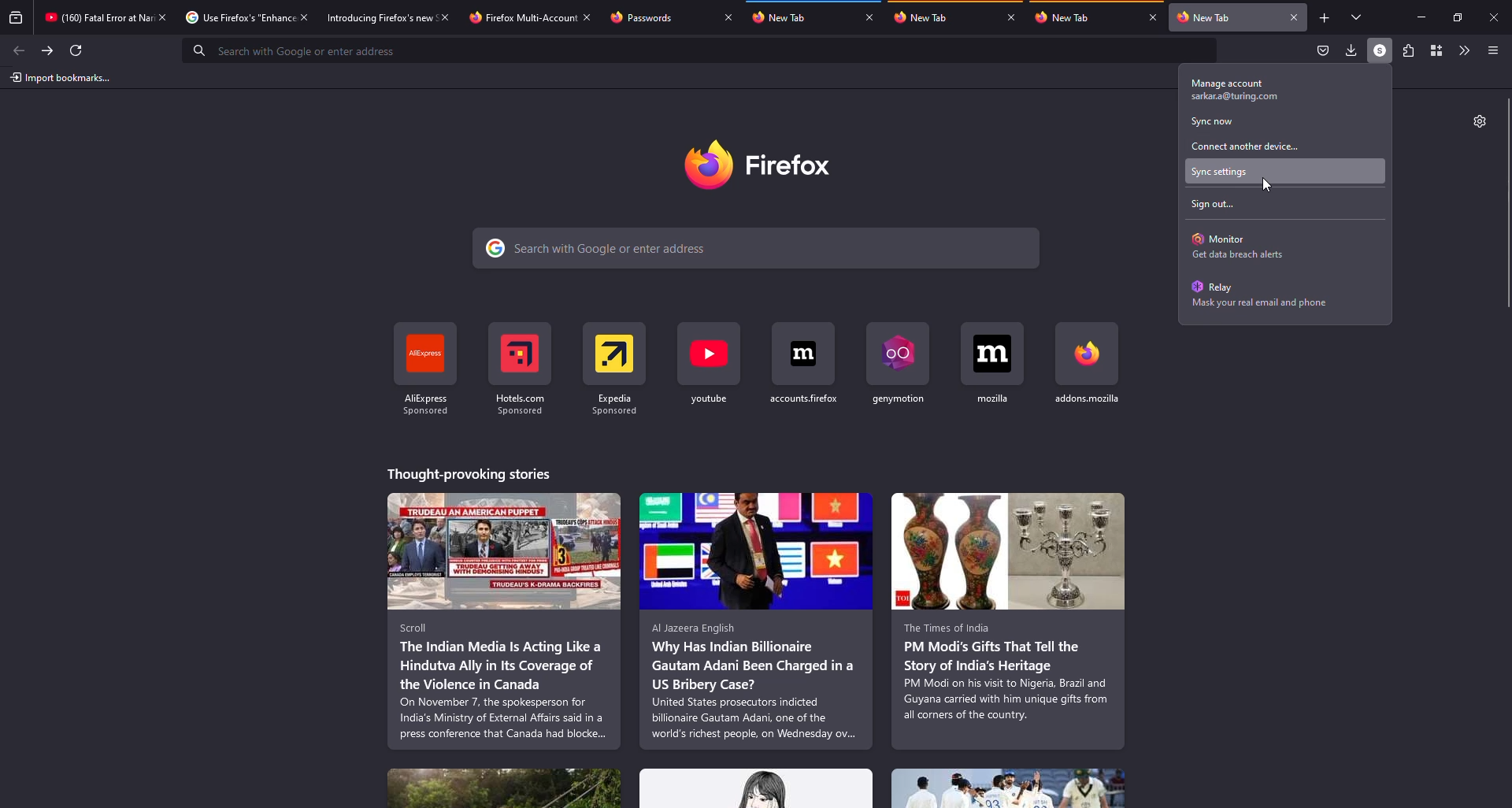 This screenshot has width=1512, height=808. Describe the element at coordinates (515, 18) in the screenshot. I see `tab` at that location.